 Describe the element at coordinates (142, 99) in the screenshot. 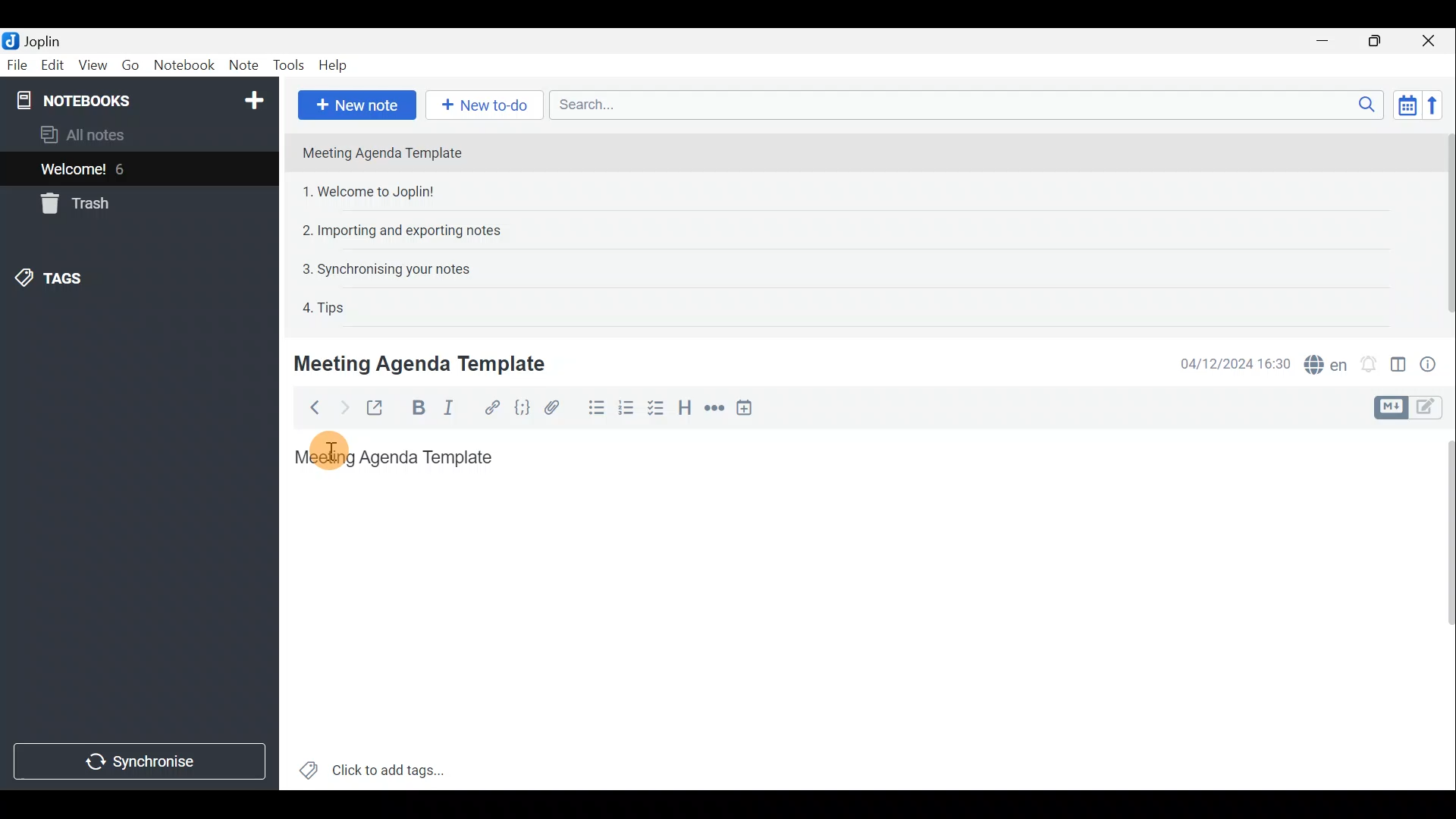

I see `Notebooks` at that location.